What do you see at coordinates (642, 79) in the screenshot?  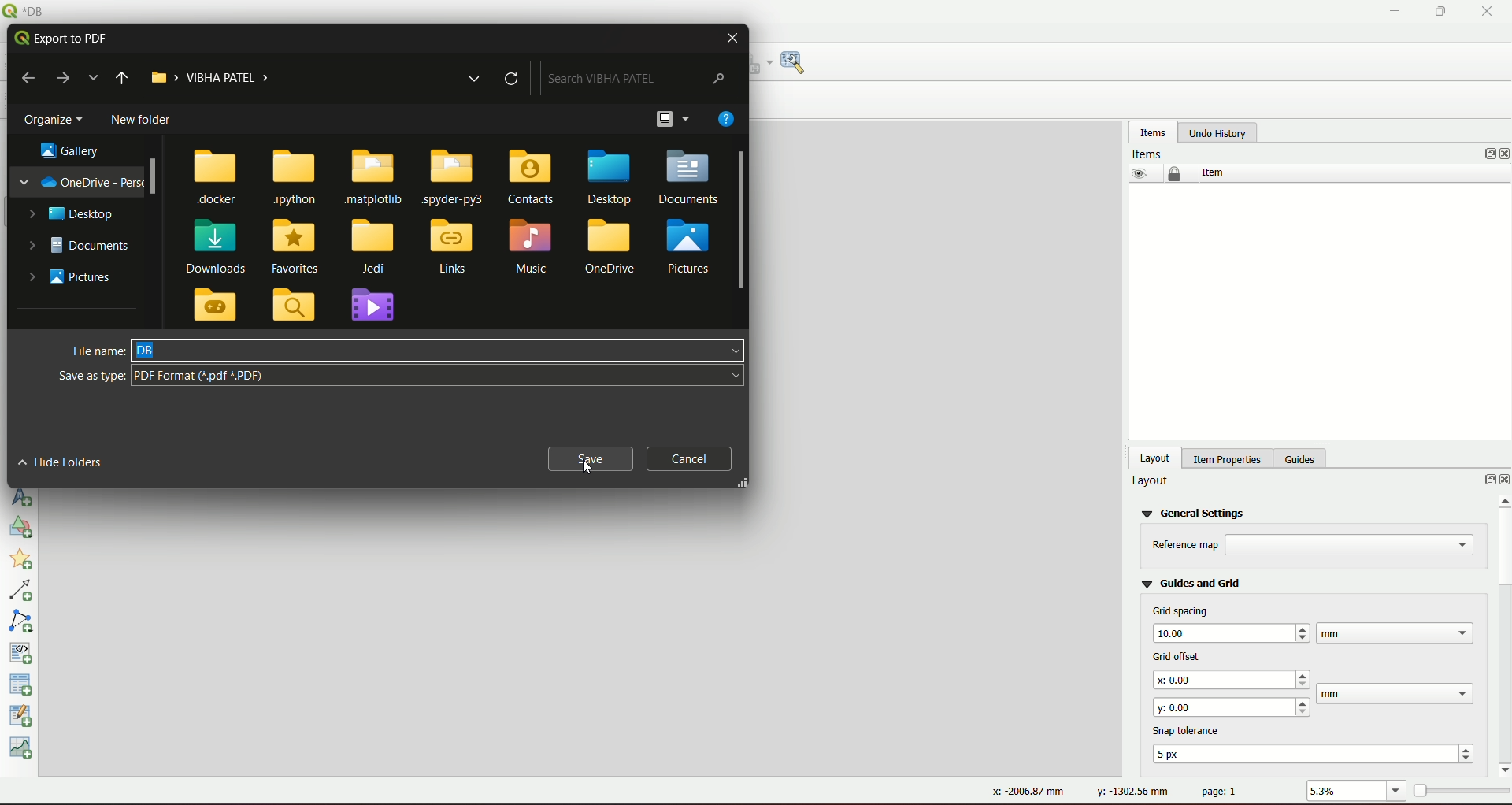 I see `search bar` at bounding box center [642, 79].